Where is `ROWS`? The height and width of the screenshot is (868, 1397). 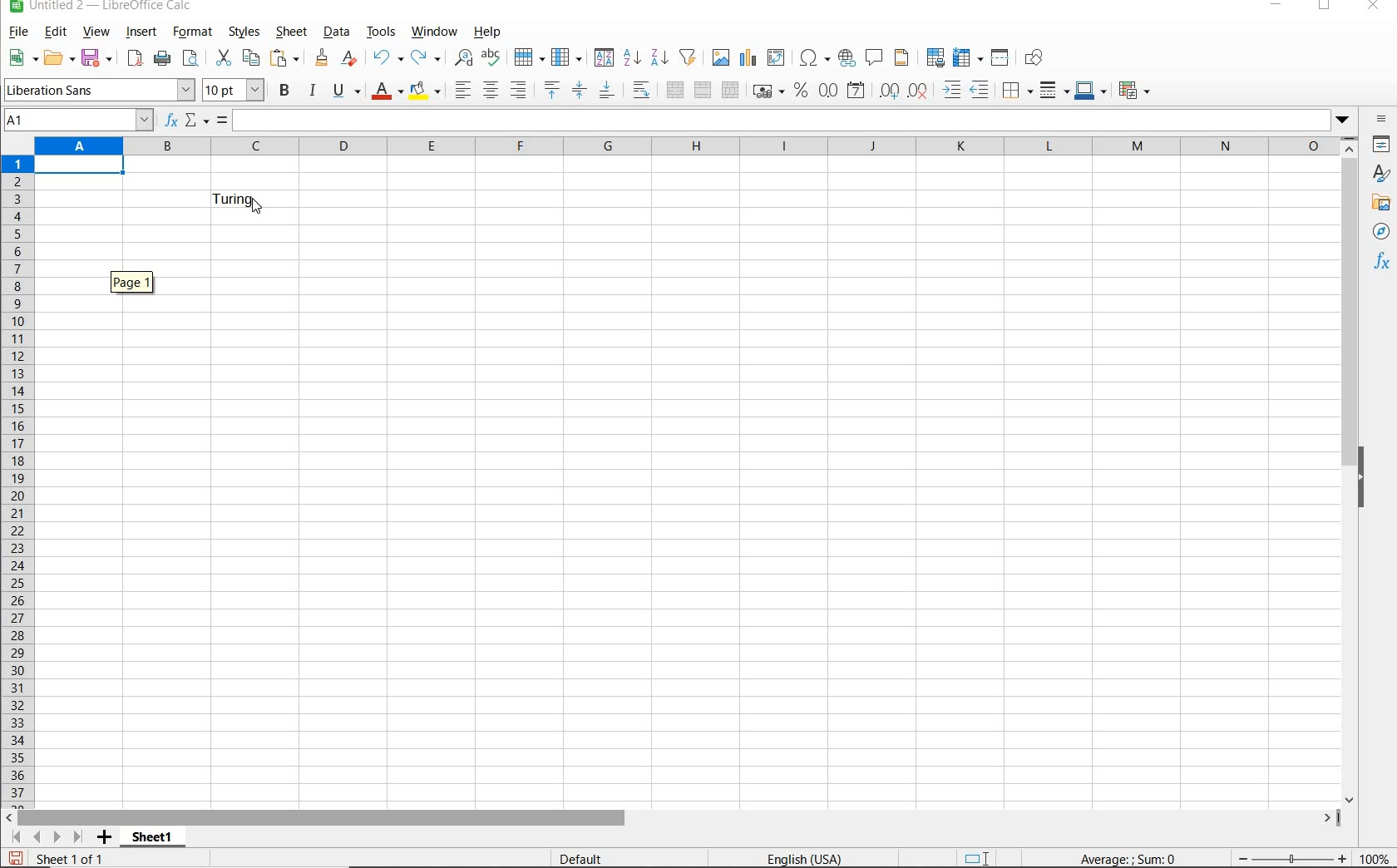
ROWS is located at coordinates (18, 479).